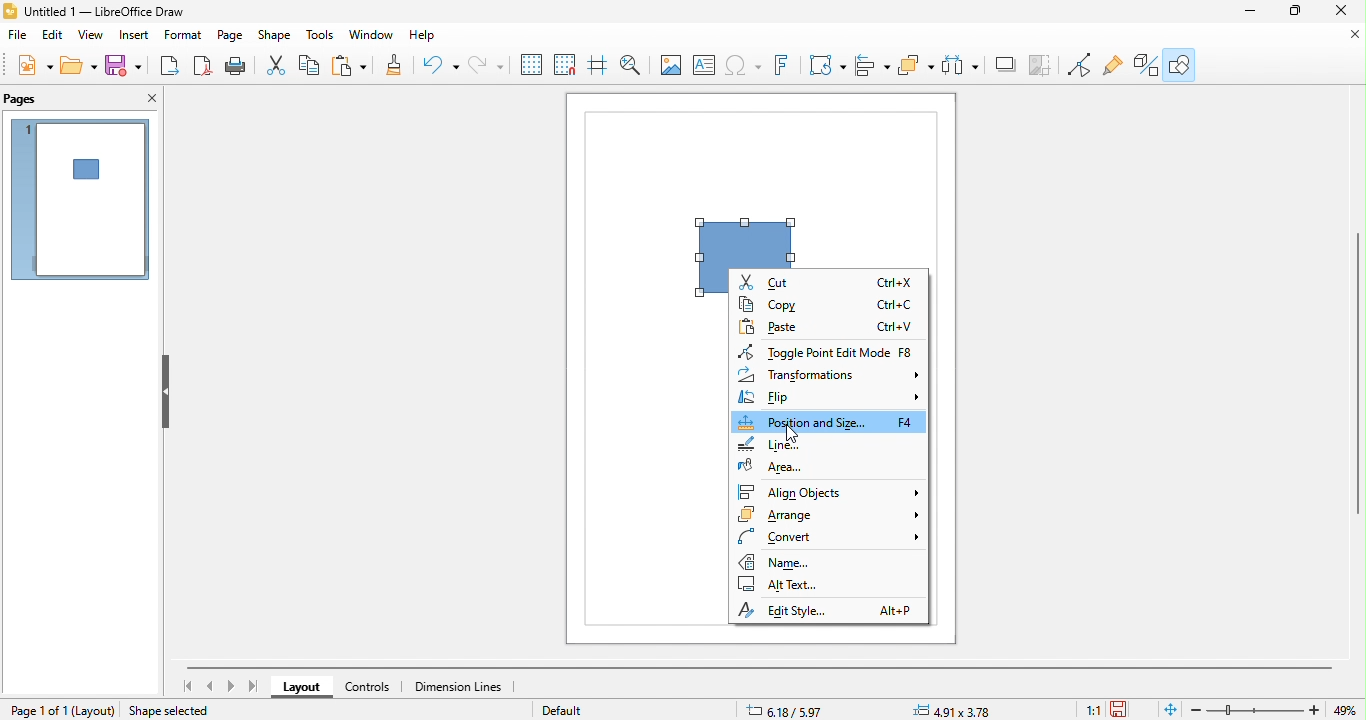 This screenshot has height=720, width=1366. Describe the element at coordinates (1089, 710) in the screenshot. I see `1:1` at that location.